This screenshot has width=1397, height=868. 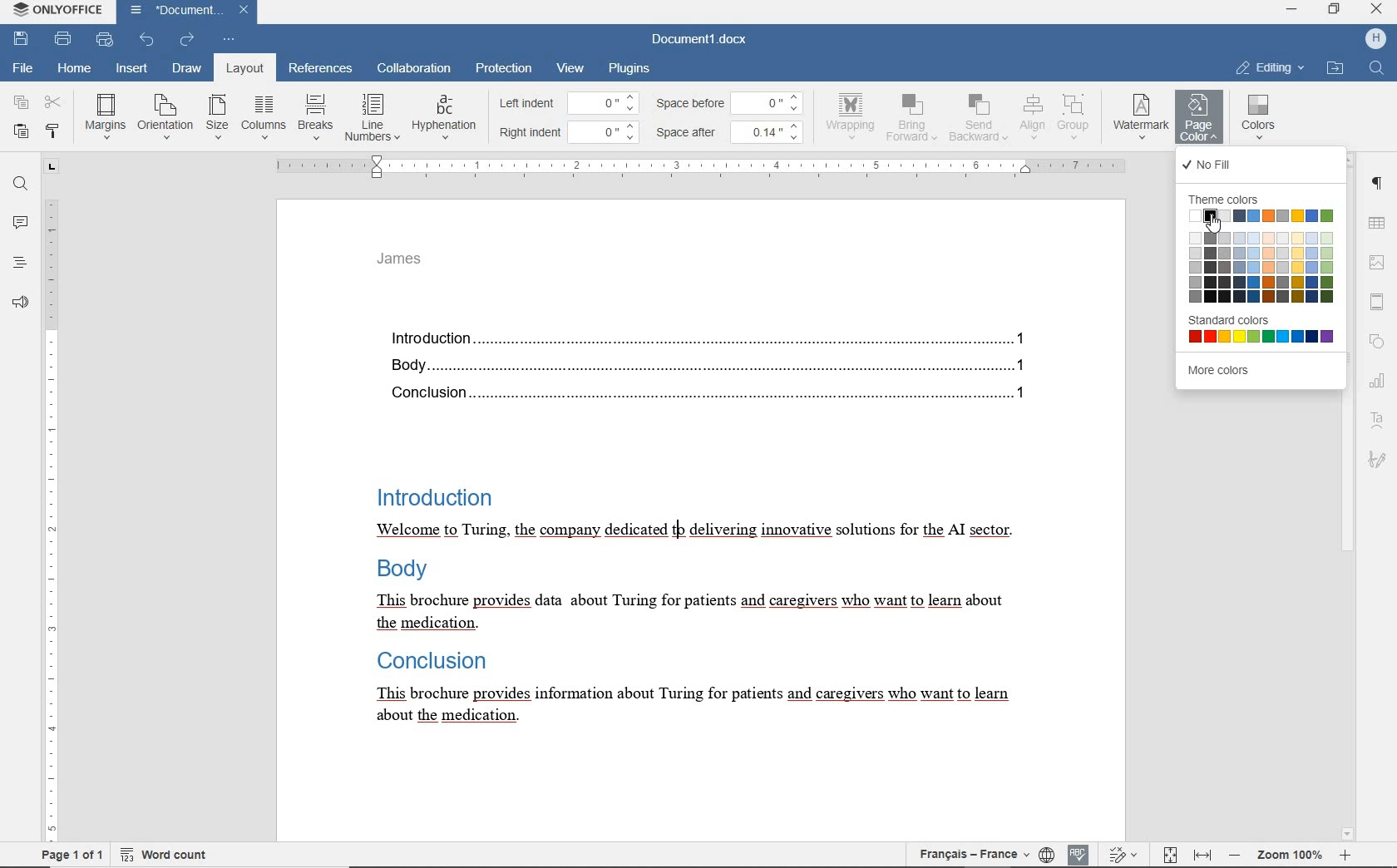 I want to click on text language, so click(x=970, y=852).